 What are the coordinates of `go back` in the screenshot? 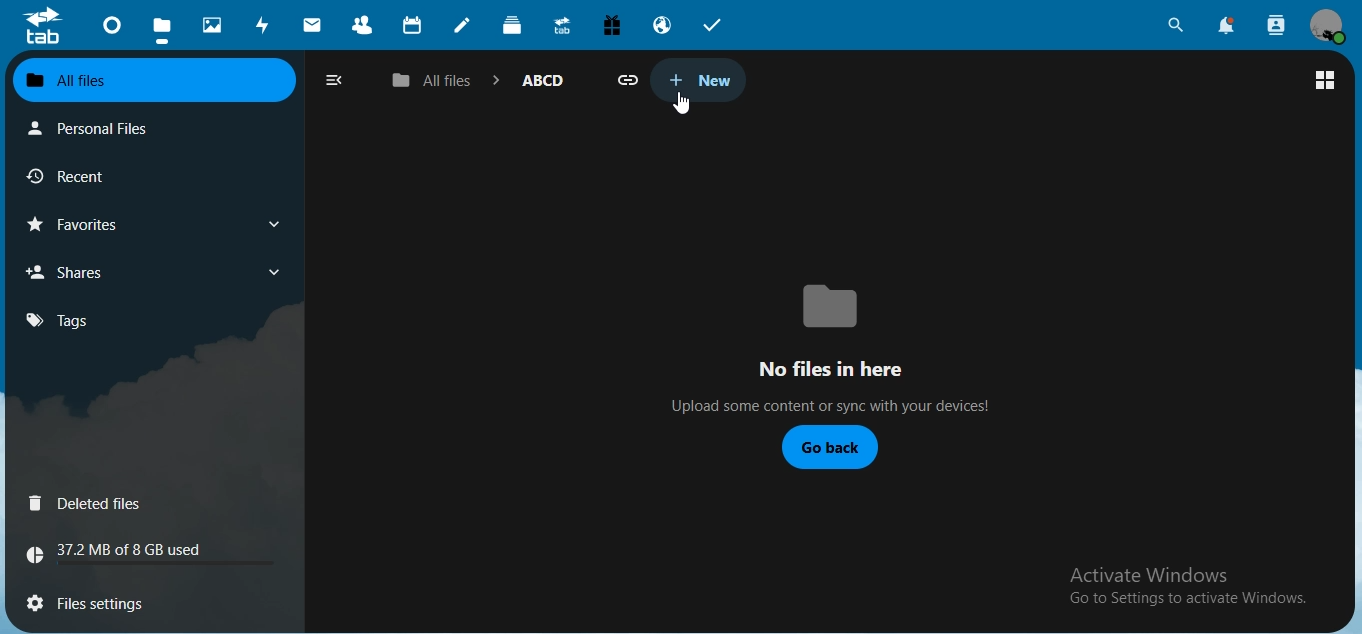 It's located at (828, 448).